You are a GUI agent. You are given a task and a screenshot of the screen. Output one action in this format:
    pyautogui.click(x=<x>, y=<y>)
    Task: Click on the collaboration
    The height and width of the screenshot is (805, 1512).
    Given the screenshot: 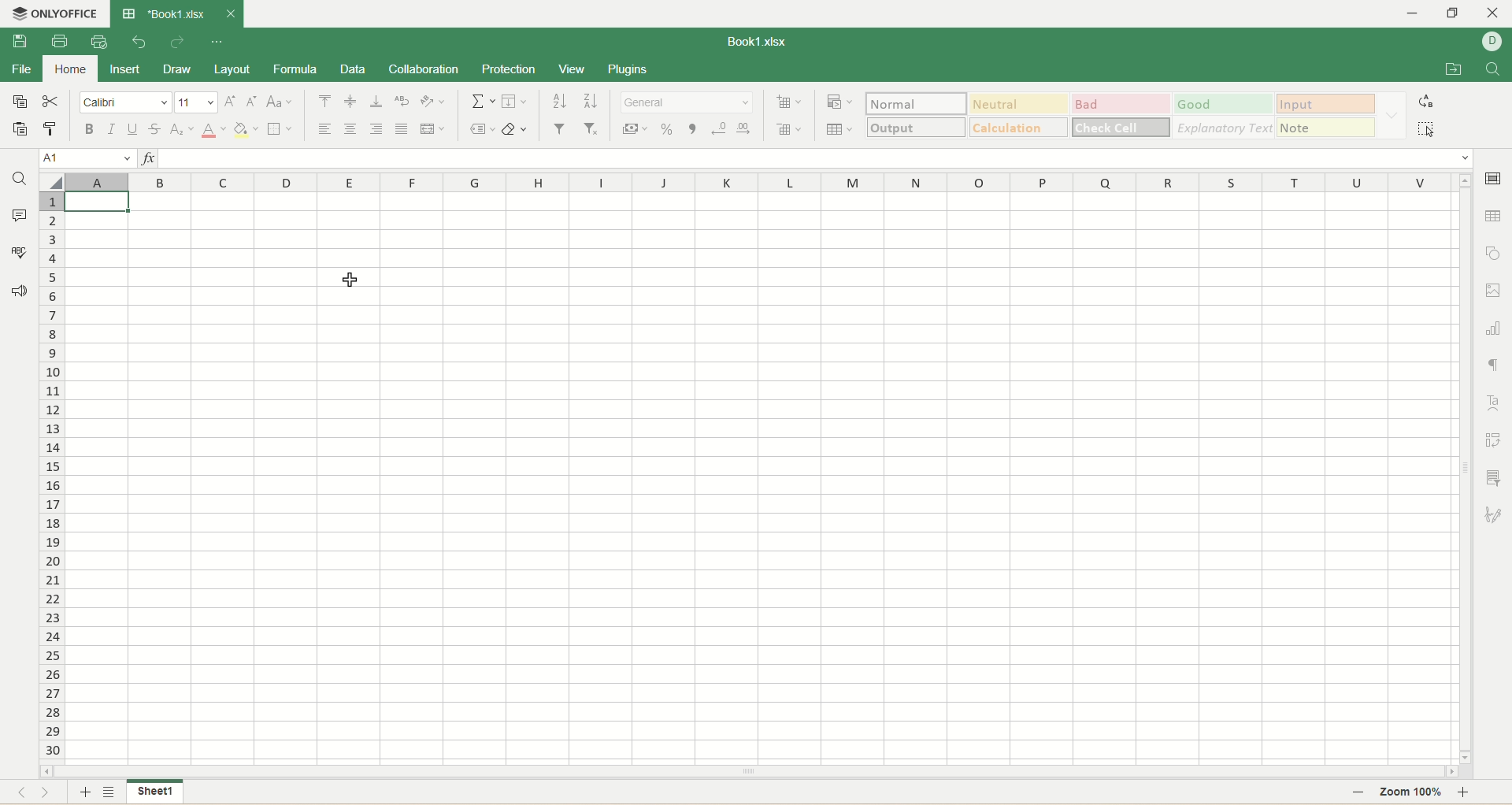 What is the action you would take?
    pyautogui.click(x=424, y=69)
    